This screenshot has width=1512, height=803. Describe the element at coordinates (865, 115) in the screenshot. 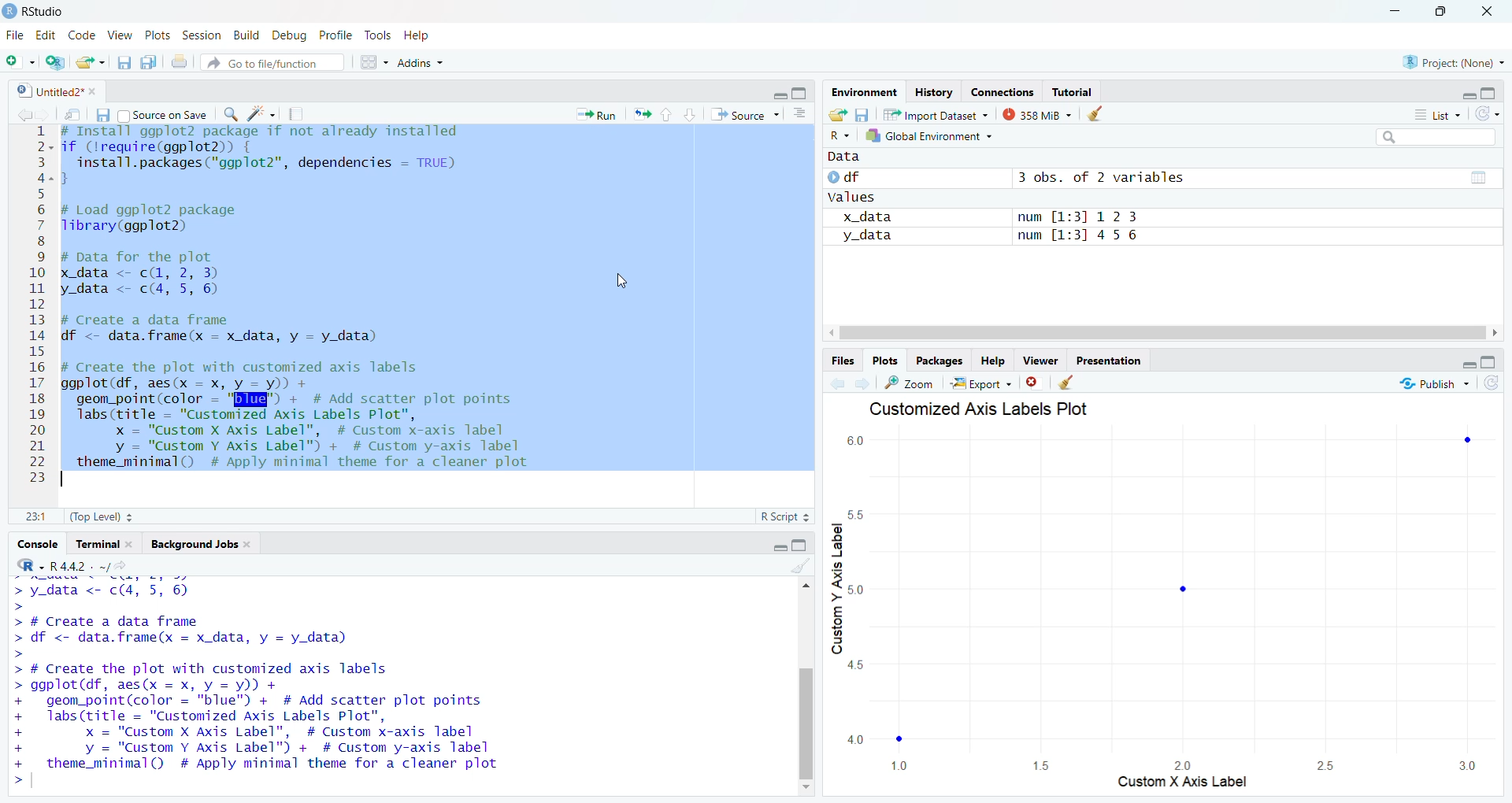

I see `save` at that location.